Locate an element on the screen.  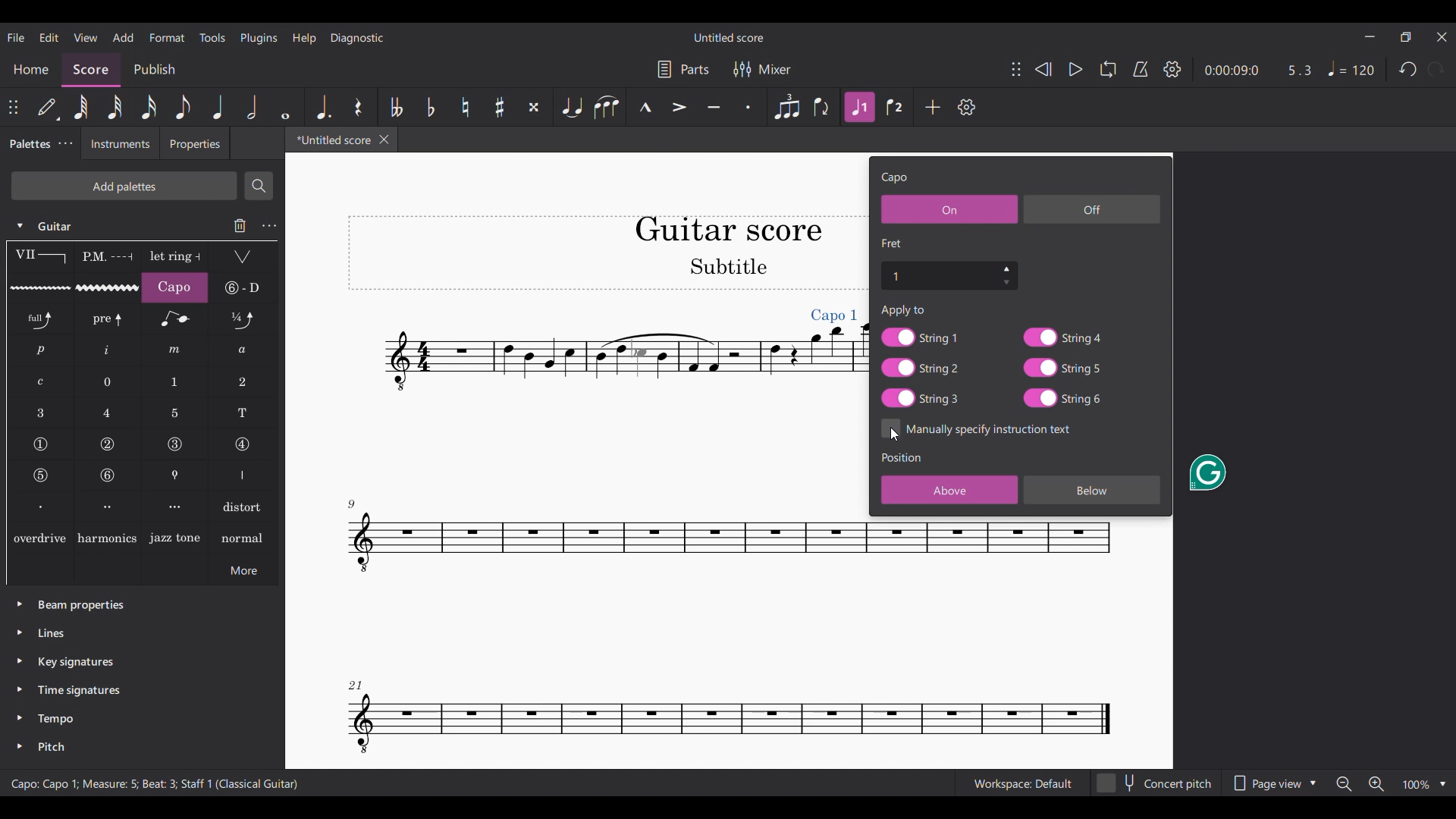
File menu is located at coordinates (17, 37).